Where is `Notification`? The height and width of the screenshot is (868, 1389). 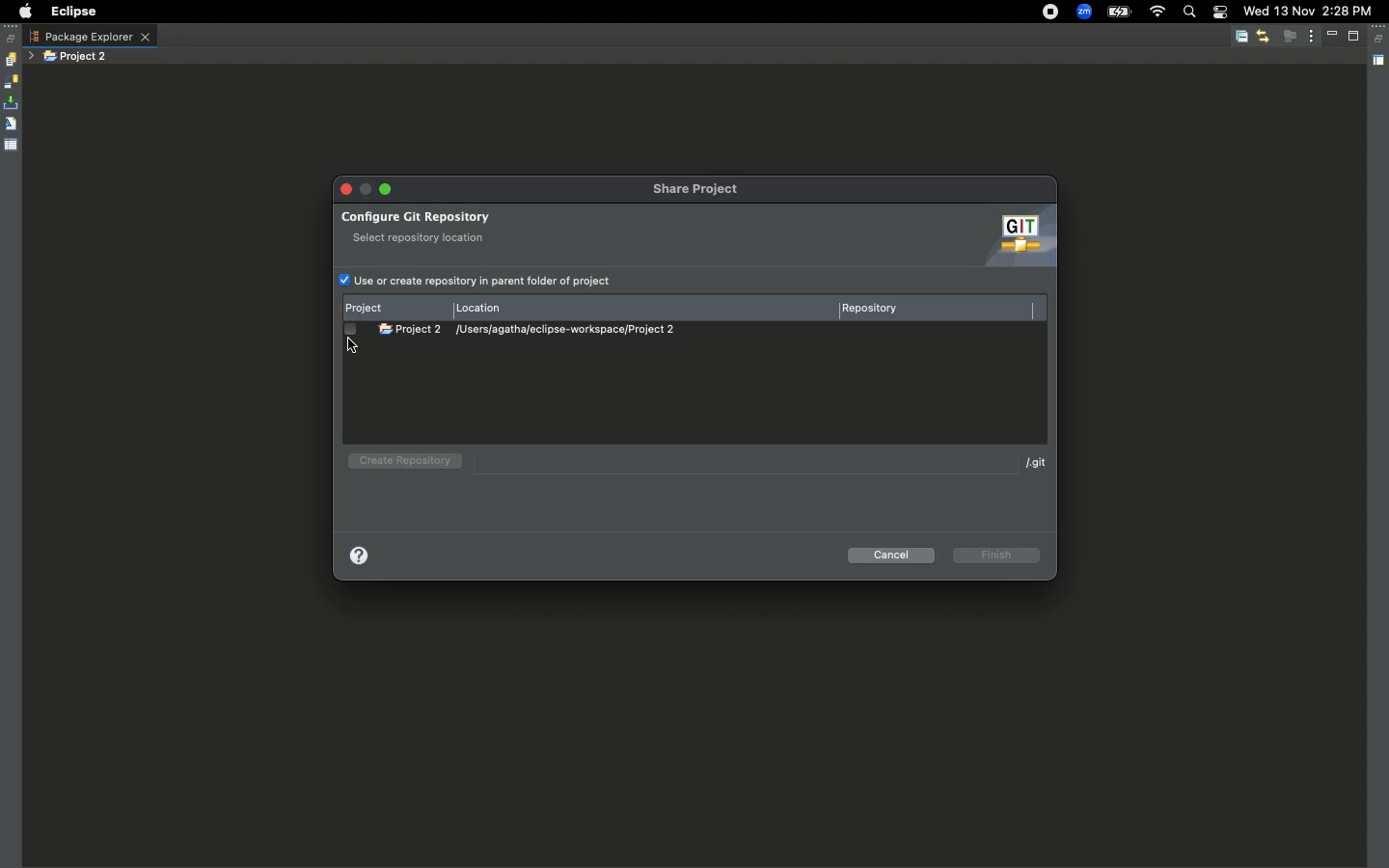 Notification is located at coordinates (1219, 14).